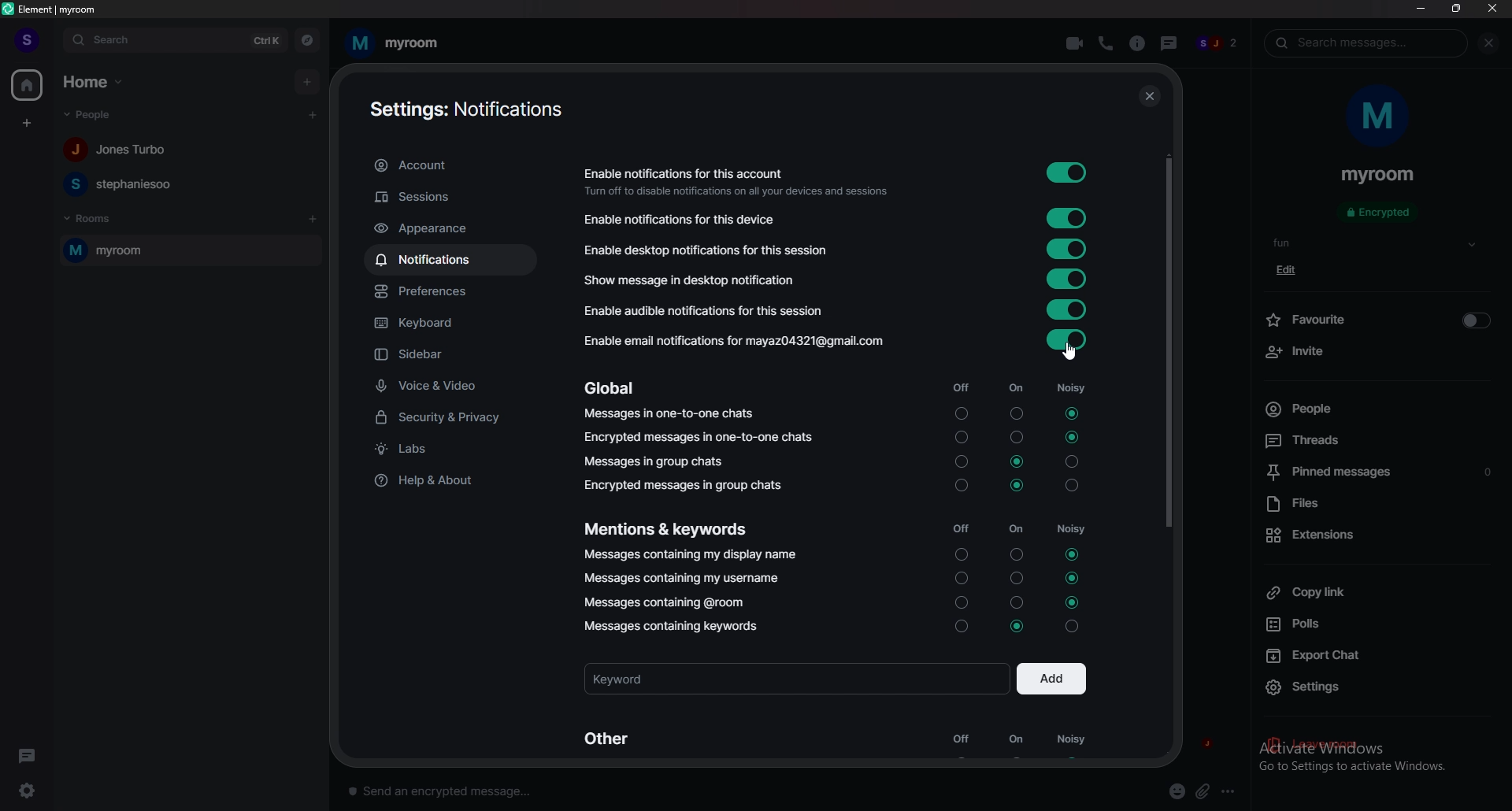 The image size is (1512, 811). Describe the element at coordinates (454, 355) in the screenshot. I see `sidebar` at that location.